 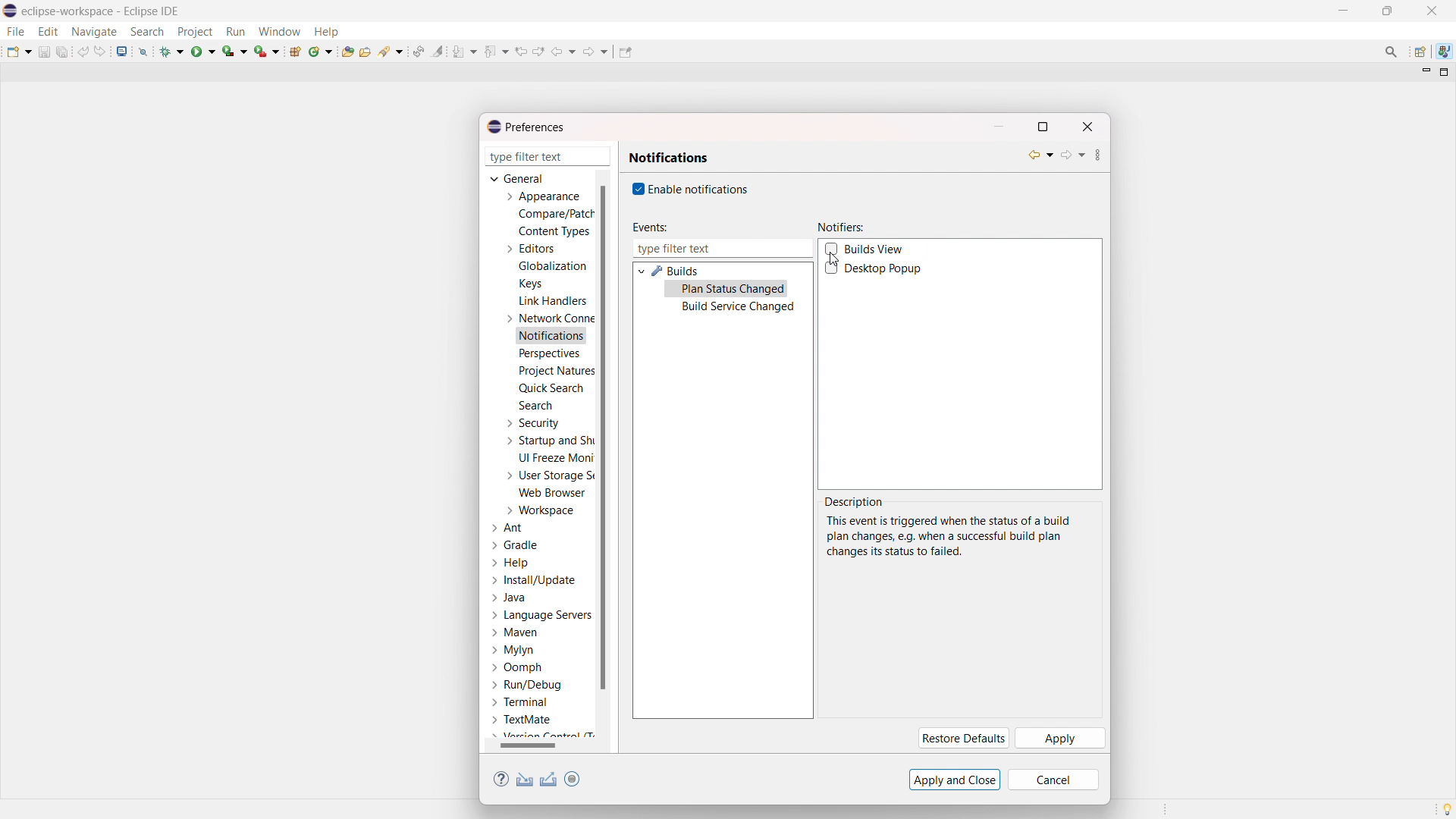 I want to click on checkbox, so click(x=636, y=189).